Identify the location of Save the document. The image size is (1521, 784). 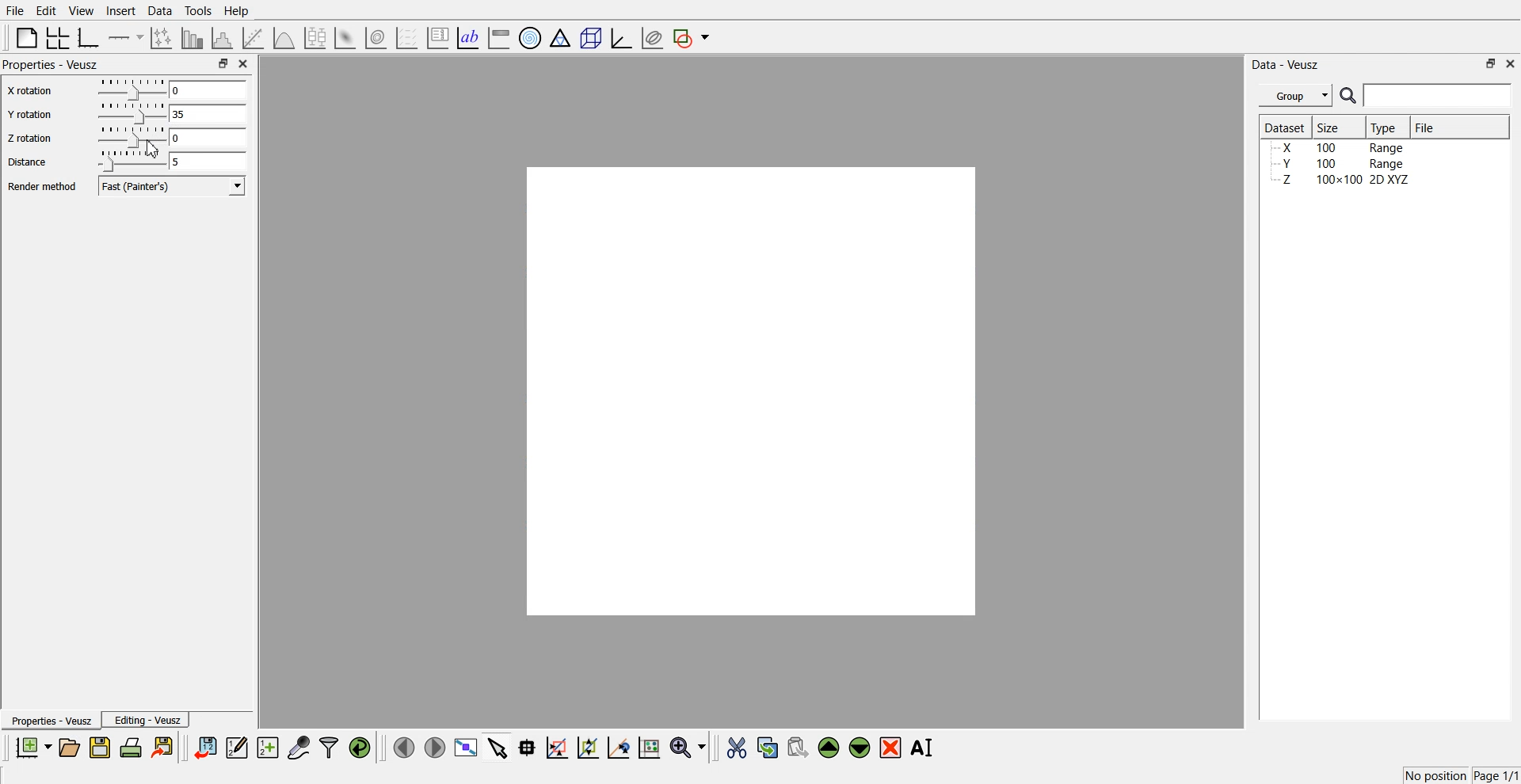
(100, 747).